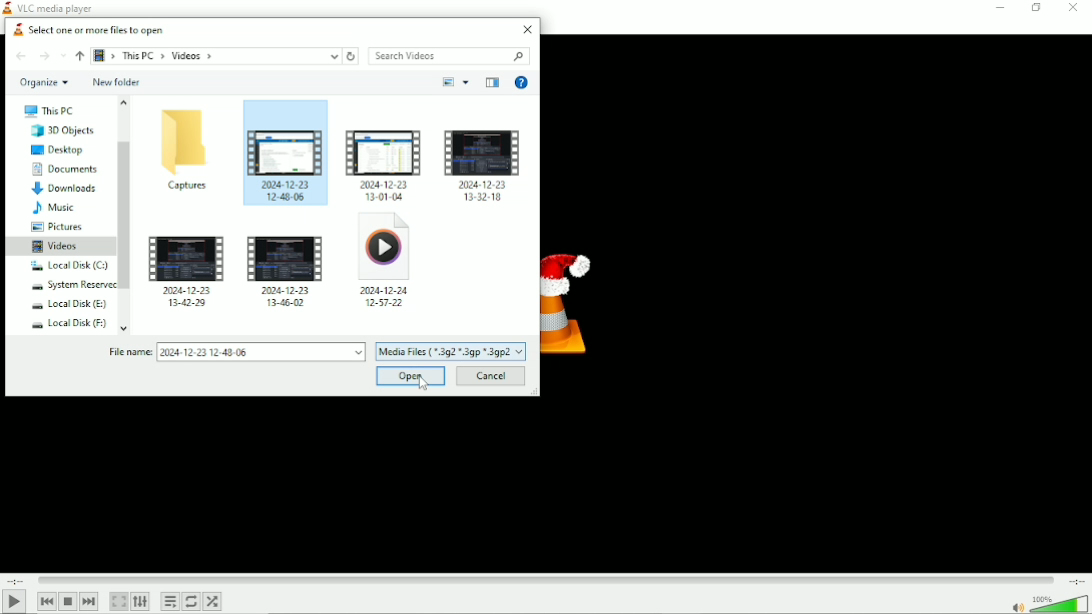  Describe the element at coordinates (55, 209) in the screenshot. I see `Music` at that location.